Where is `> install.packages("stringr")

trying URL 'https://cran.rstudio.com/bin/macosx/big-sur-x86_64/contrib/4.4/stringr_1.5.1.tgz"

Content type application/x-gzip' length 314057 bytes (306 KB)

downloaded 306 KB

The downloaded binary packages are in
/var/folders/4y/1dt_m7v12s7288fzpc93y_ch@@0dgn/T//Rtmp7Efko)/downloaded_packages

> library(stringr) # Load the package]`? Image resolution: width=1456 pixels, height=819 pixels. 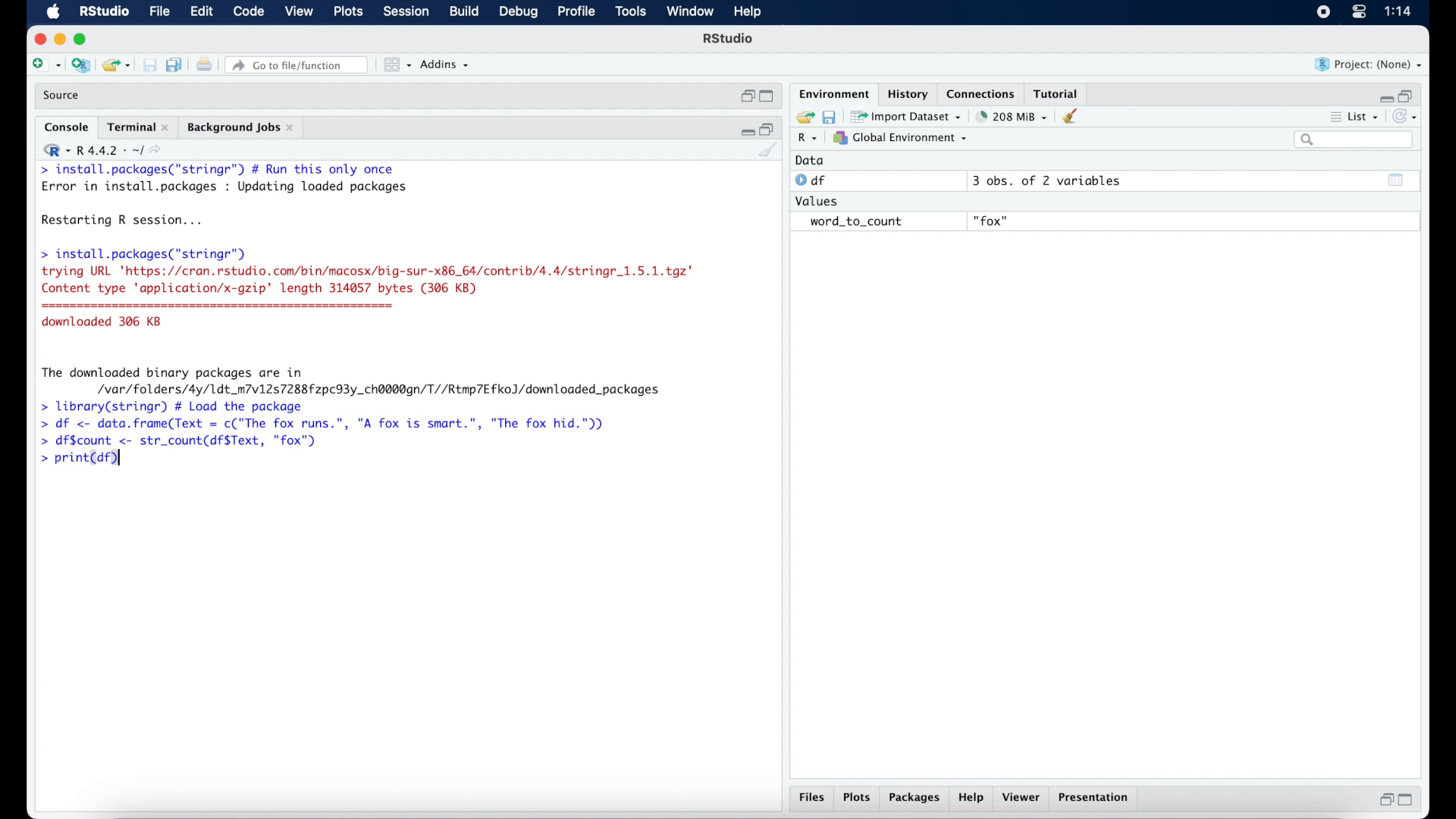 > install.packages("stringr")

trying URL 'https://cran.rstudio.com/bin/macosx/big-sur-x86_64/contrib/4.4/stringr_1.5.1.tgz"

Content type application/x-gzip' length 314057 bytes (306 KB)

downloaded 306 KB

The downloaded binary packages are in
/var/folders/4y/1dt_m7v12s7288fzpc93y_ch@@0dgn/T//Rtmp7Efko)/downloaded_packages

> library(stringr) # Load the package] is located at coordinates (367, 330).